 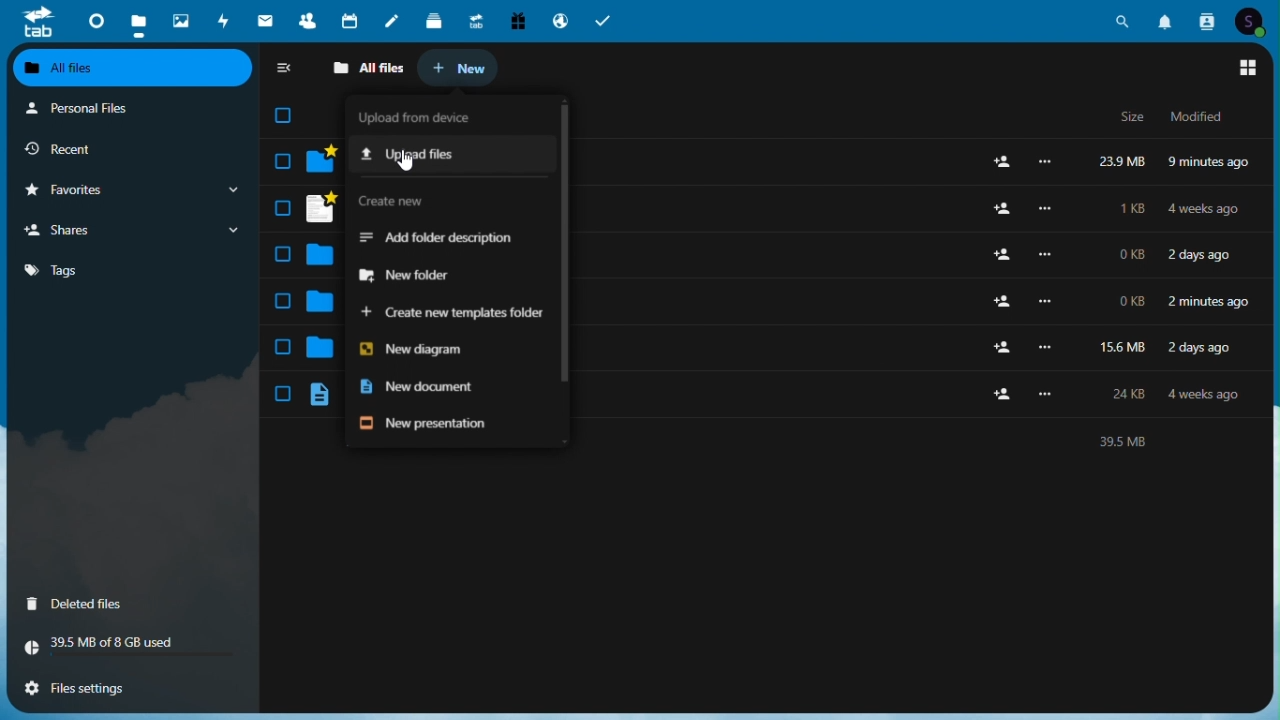 What do you see at coordinates (1191, 116) in the screenshot?
I see `Modified` at bounding box center [1191, 116].